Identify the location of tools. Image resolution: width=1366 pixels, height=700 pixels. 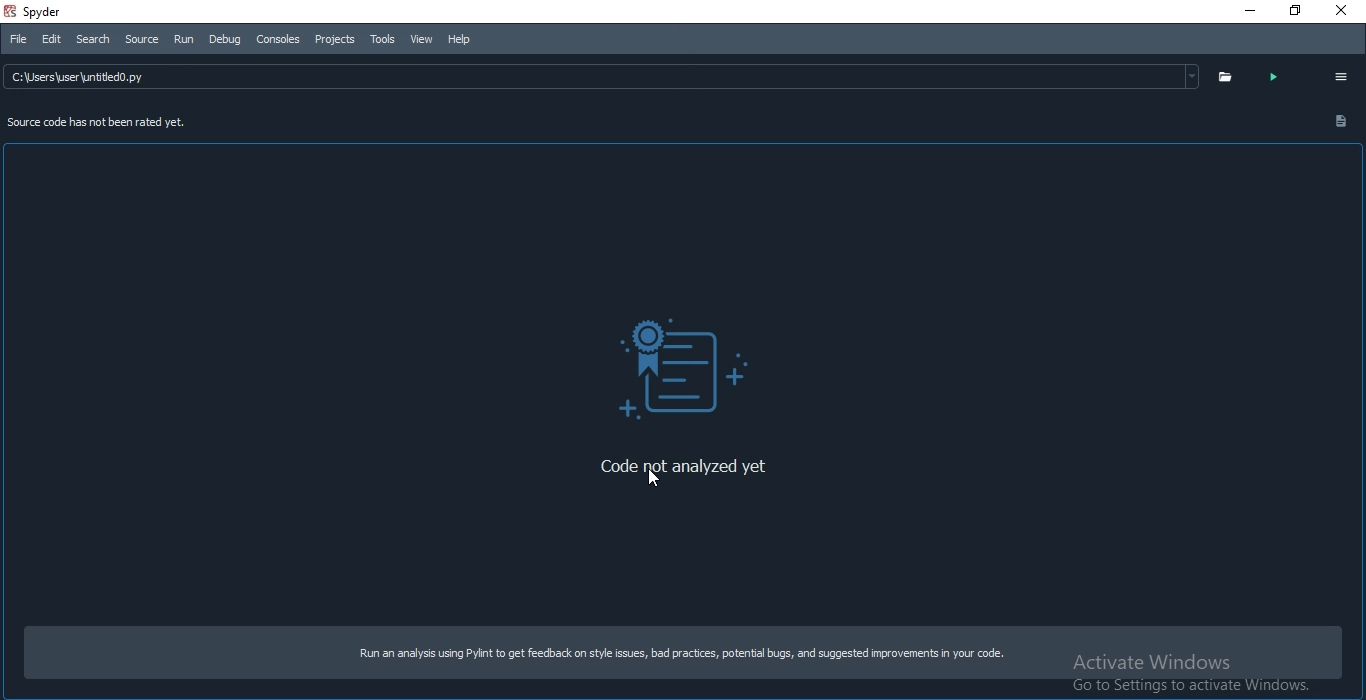
(380, 38).